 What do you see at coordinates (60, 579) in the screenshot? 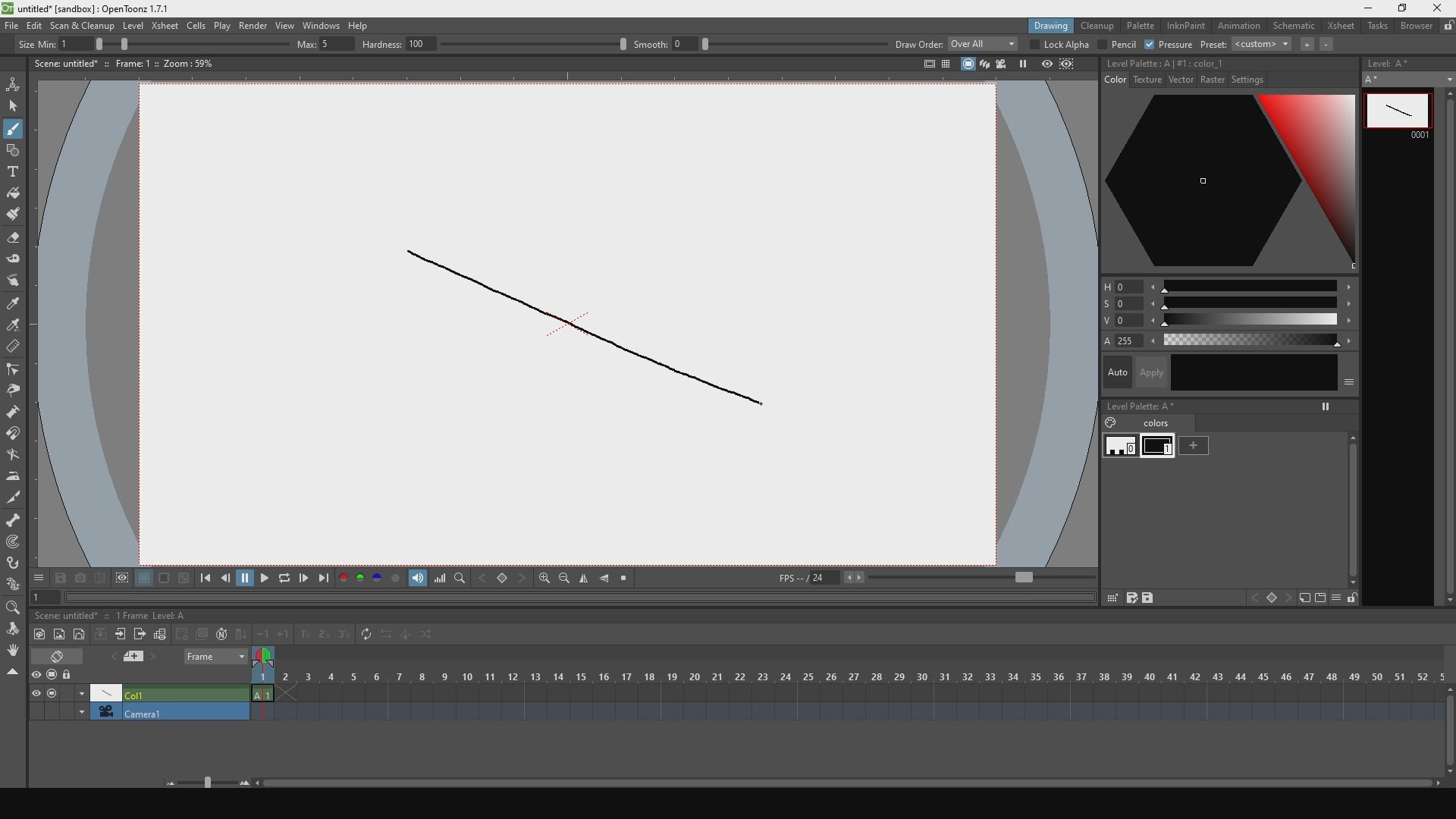
I see `save` at bounding box center [60, 579].